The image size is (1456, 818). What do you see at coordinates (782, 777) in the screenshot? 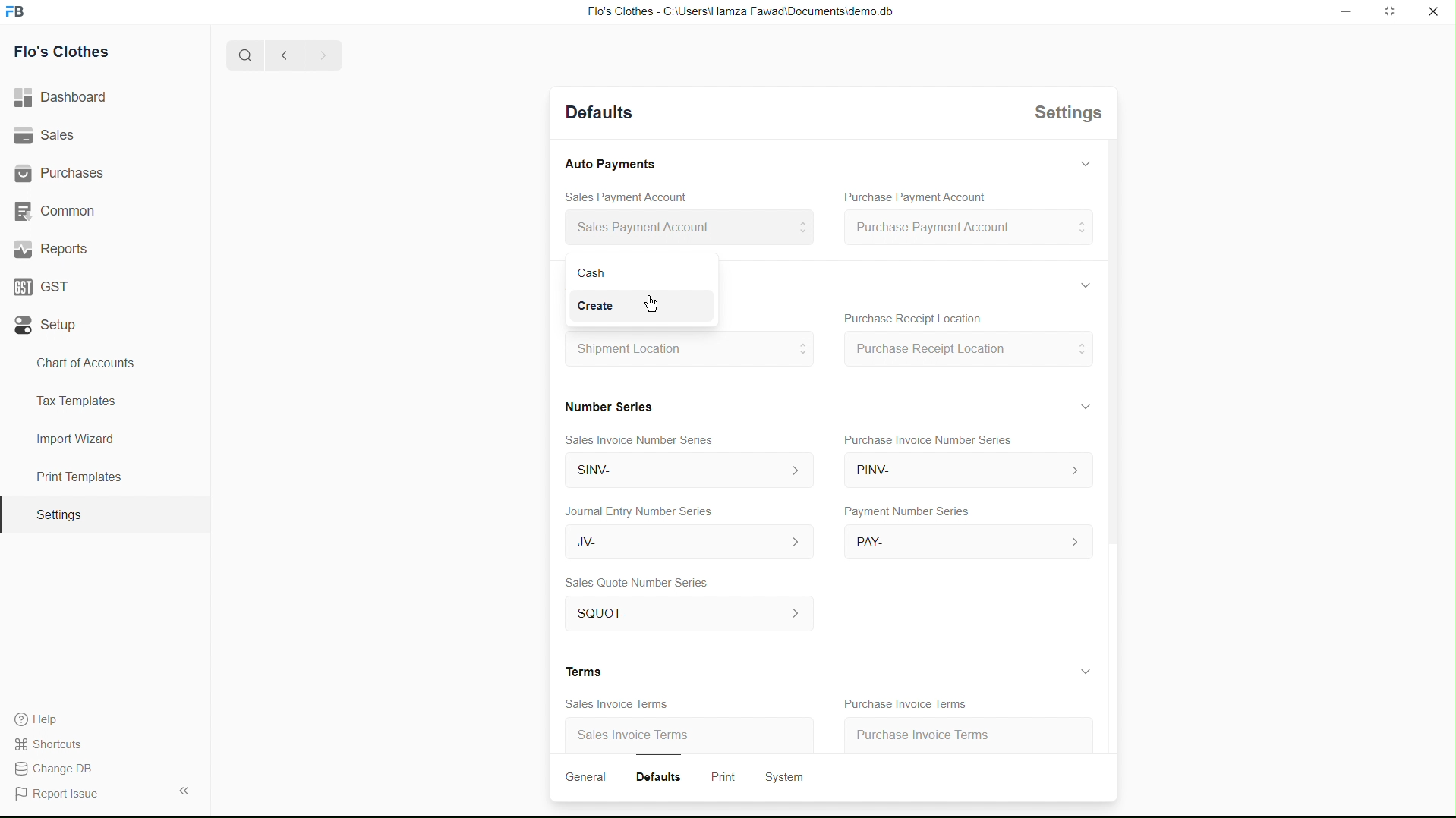
I see `System` at bounding box center [782, 777].